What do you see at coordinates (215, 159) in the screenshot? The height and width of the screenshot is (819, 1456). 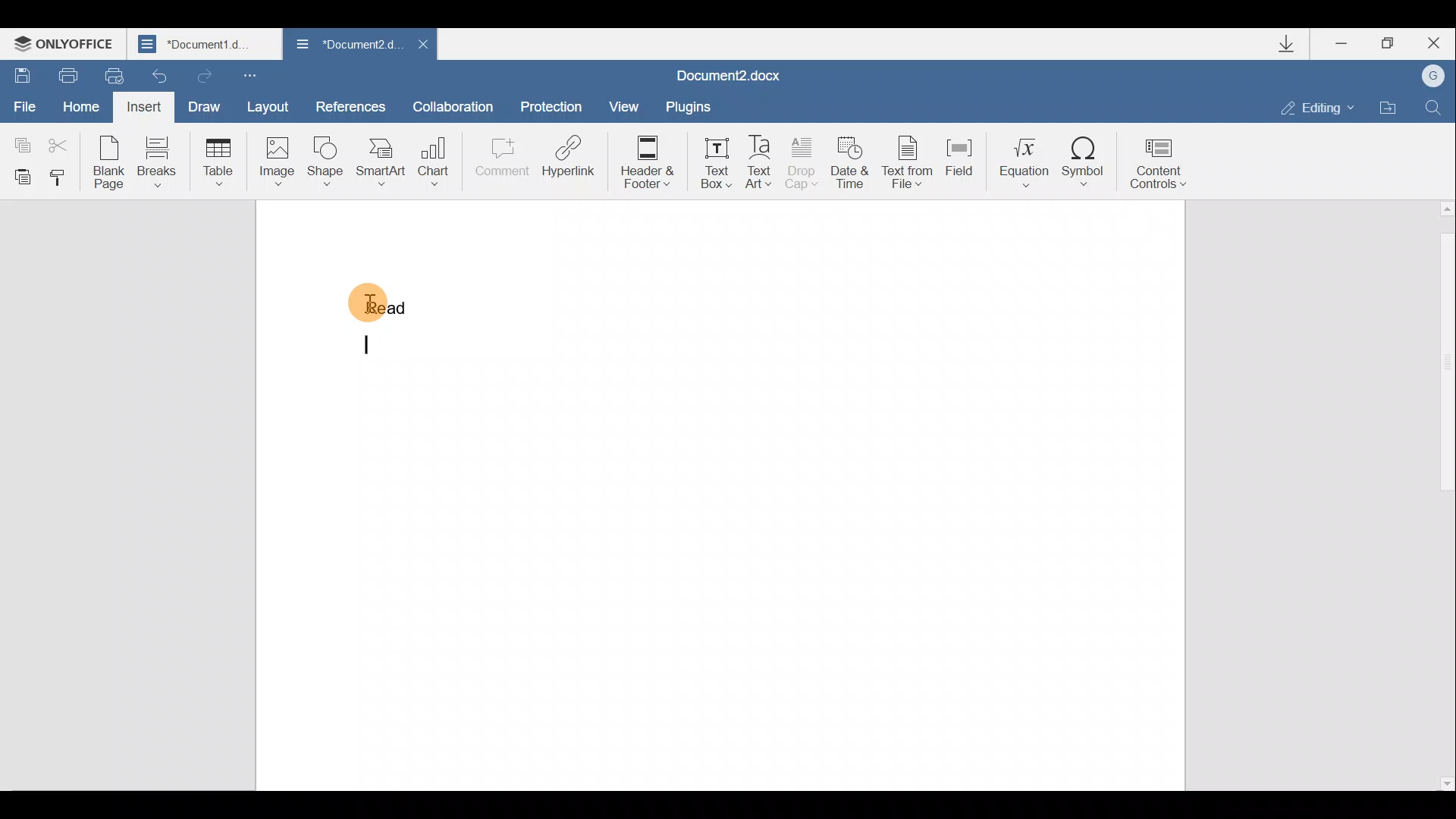 I see `Table` at bounding box center [215, 159].